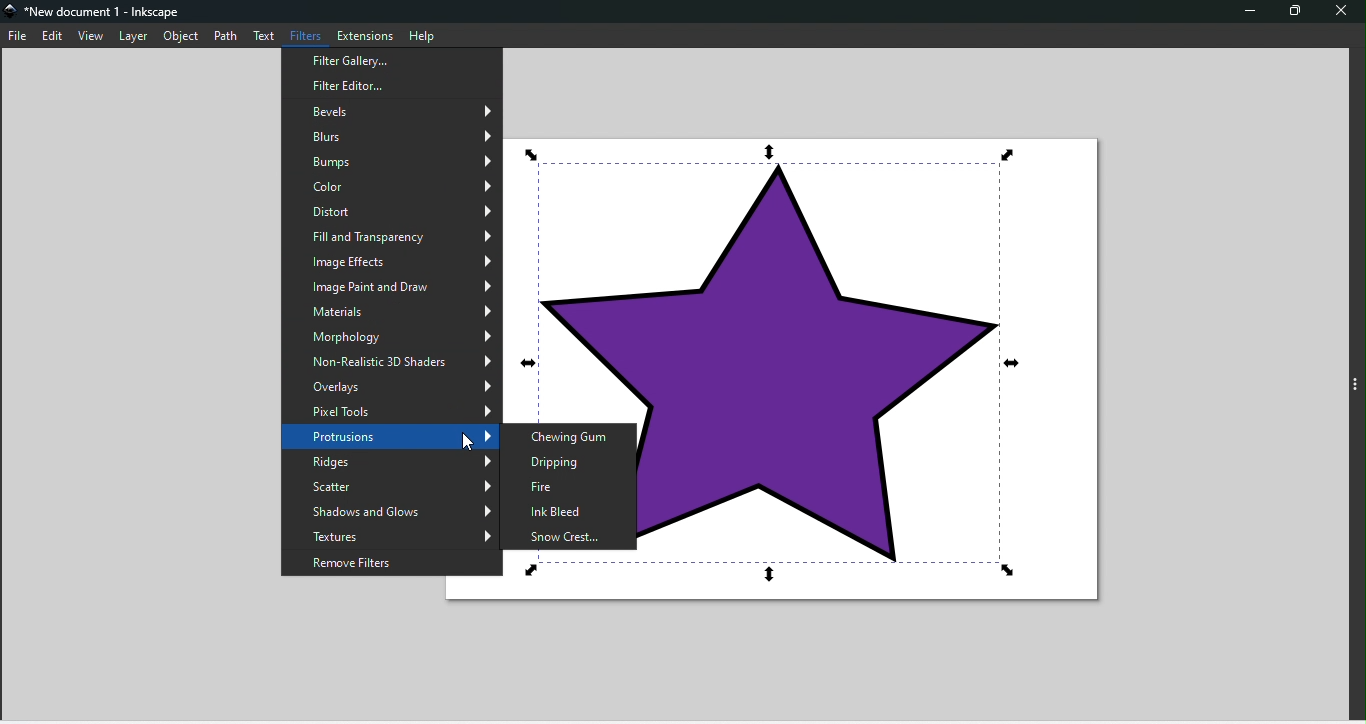  What do you see at coordinates (392, 233) in the screenshot?
I see `Fill and Transparency` at bounding box center [392, 233].